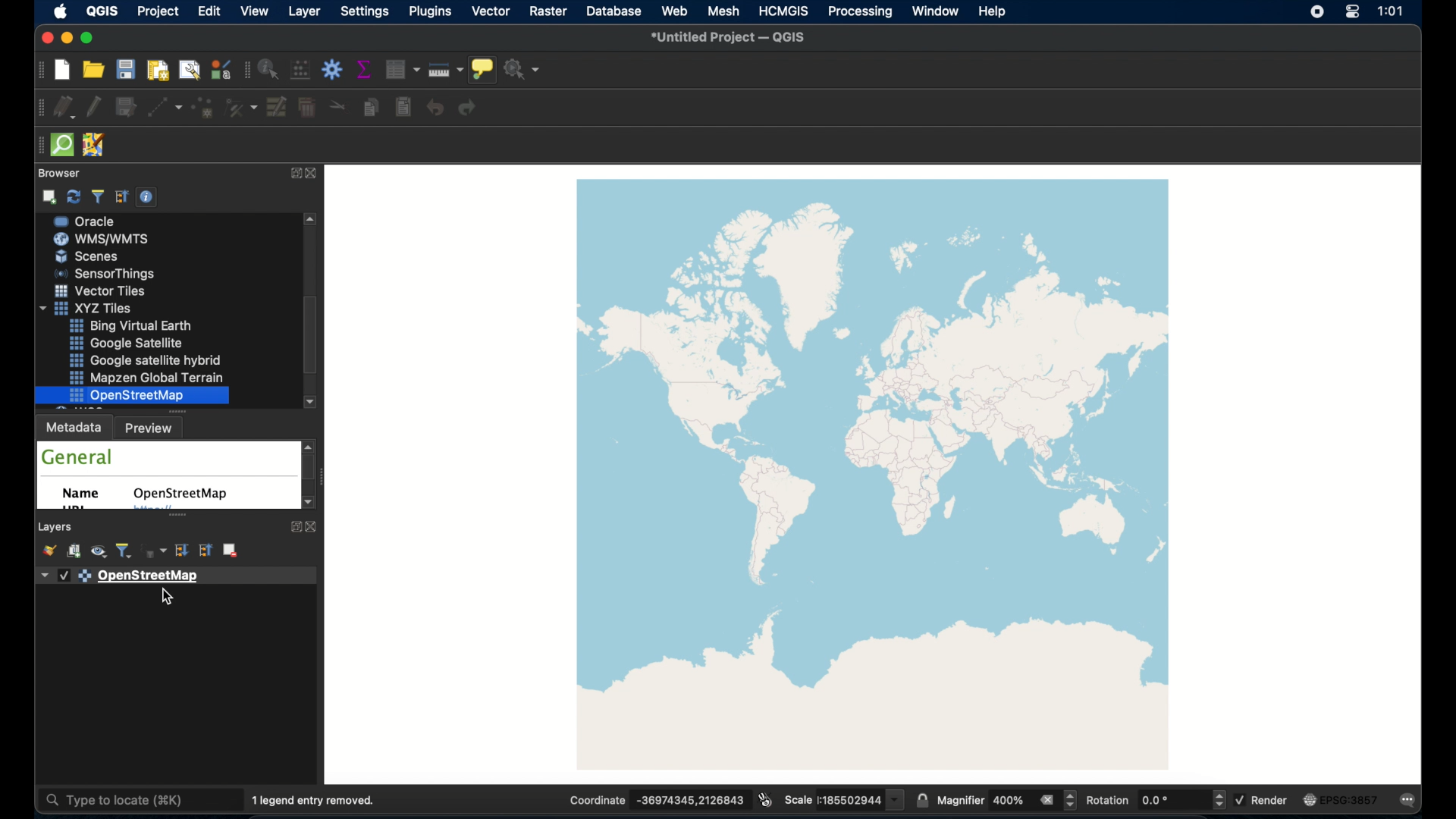 Image resolution: width=1456 pixels, height=819 pixels. I want to click on vector. tiles, so click(143, 343).